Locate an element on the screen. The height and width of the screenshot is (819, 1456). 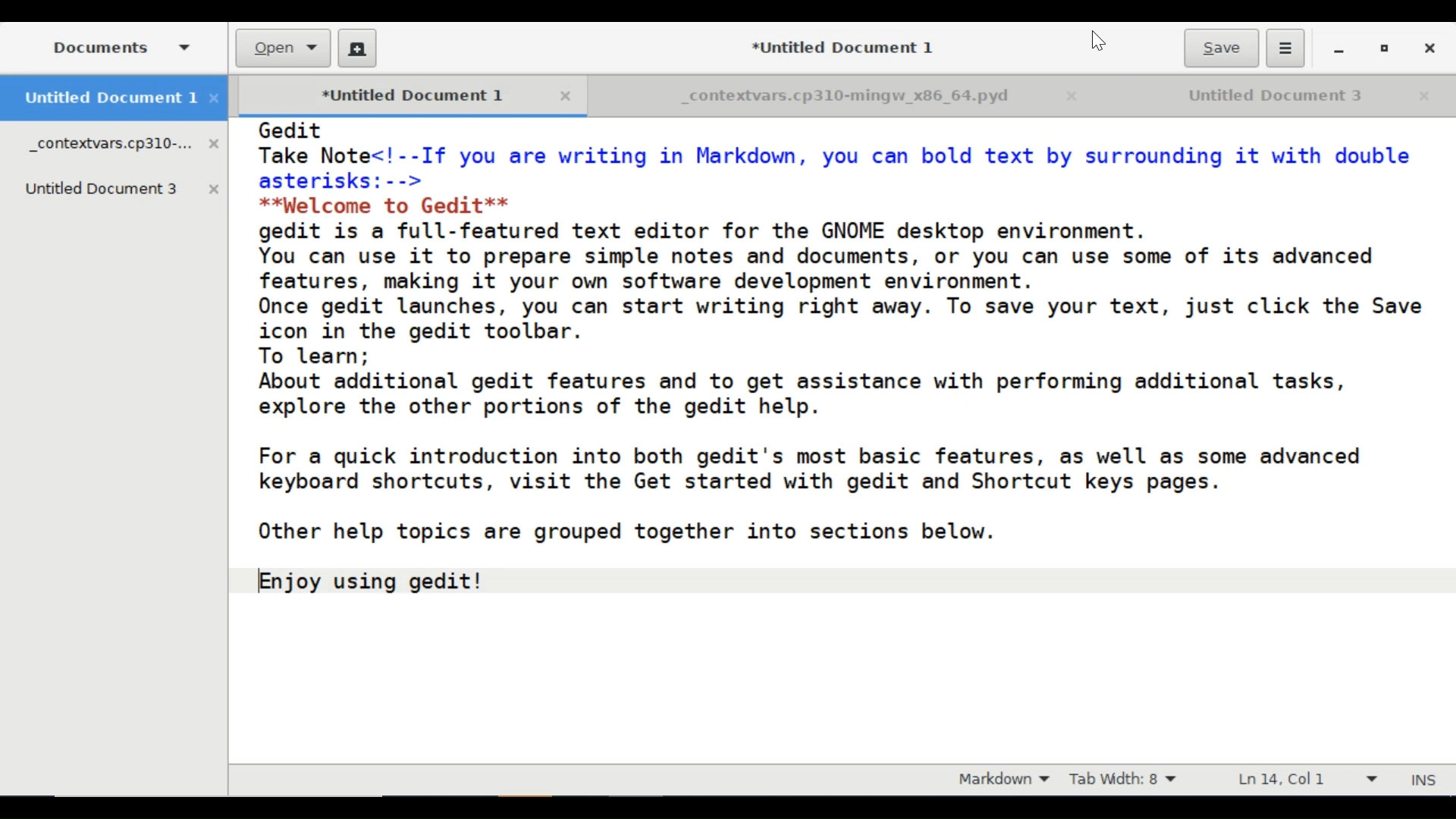
Untitled Document 1 is located at coordinates (391, 96).